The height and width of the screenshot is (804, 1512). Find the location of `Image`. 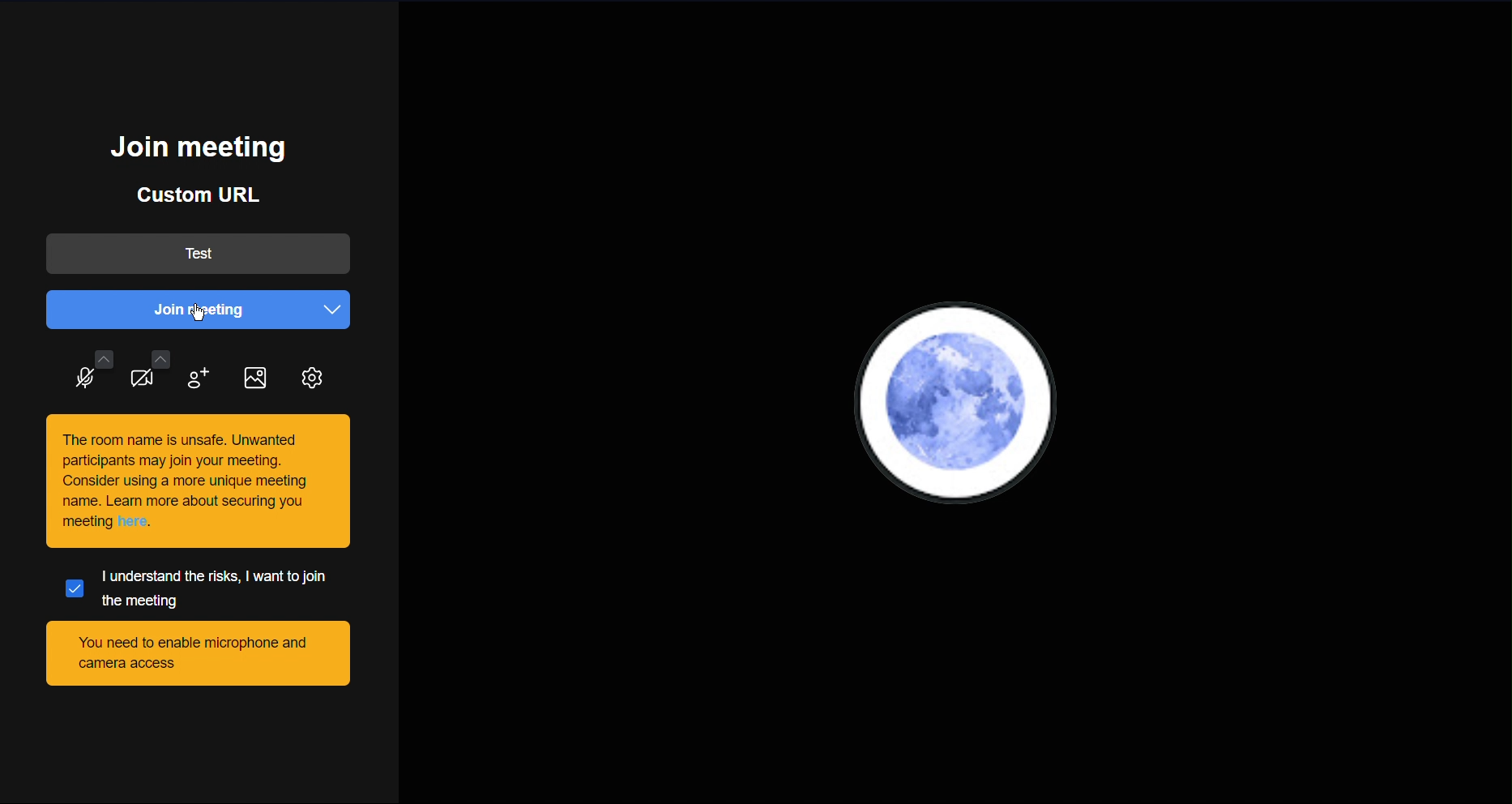

Image is located at coordinates (257, 371).